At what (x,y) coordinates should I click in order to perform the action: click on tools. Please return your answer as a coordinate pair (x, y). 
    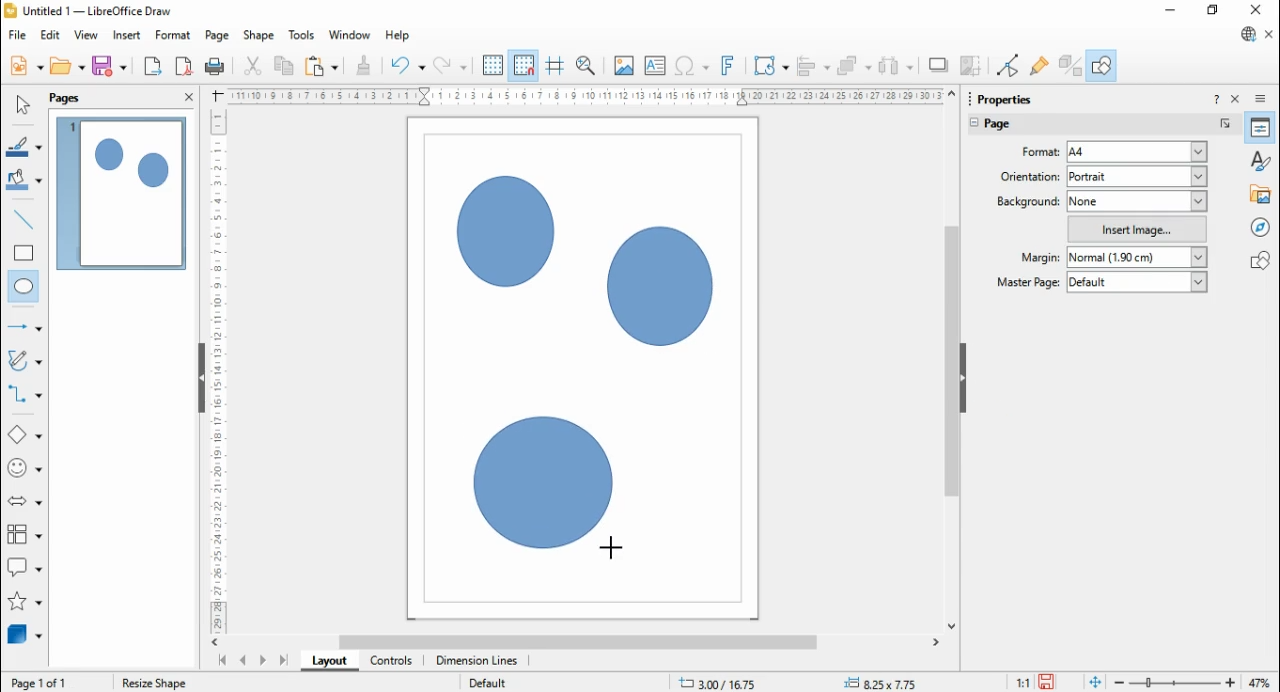
    Looking at the image, I should click on (303, 36).